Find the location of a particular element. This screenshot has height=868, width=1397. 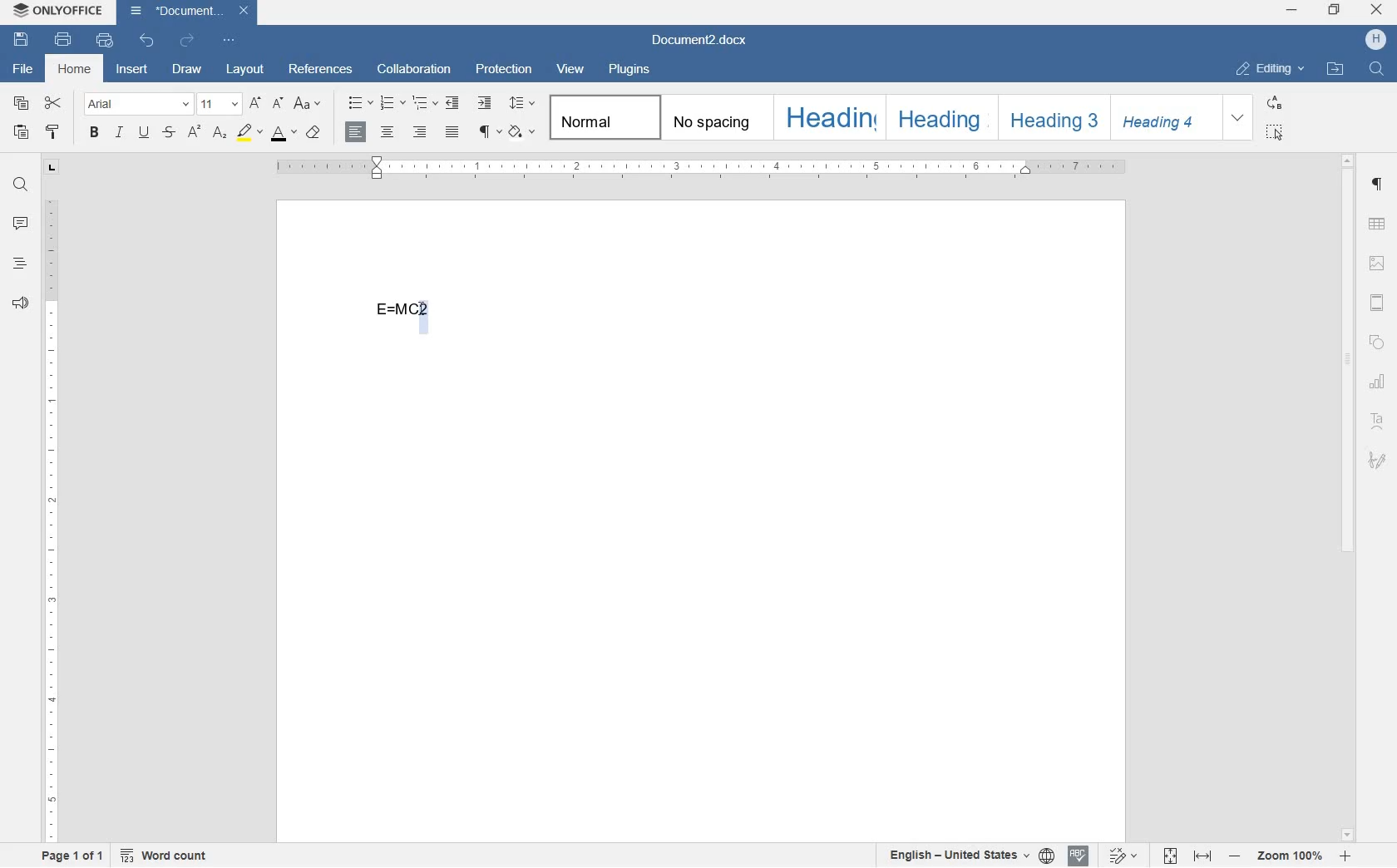

non printing characters is located at coordinates (488, 133).